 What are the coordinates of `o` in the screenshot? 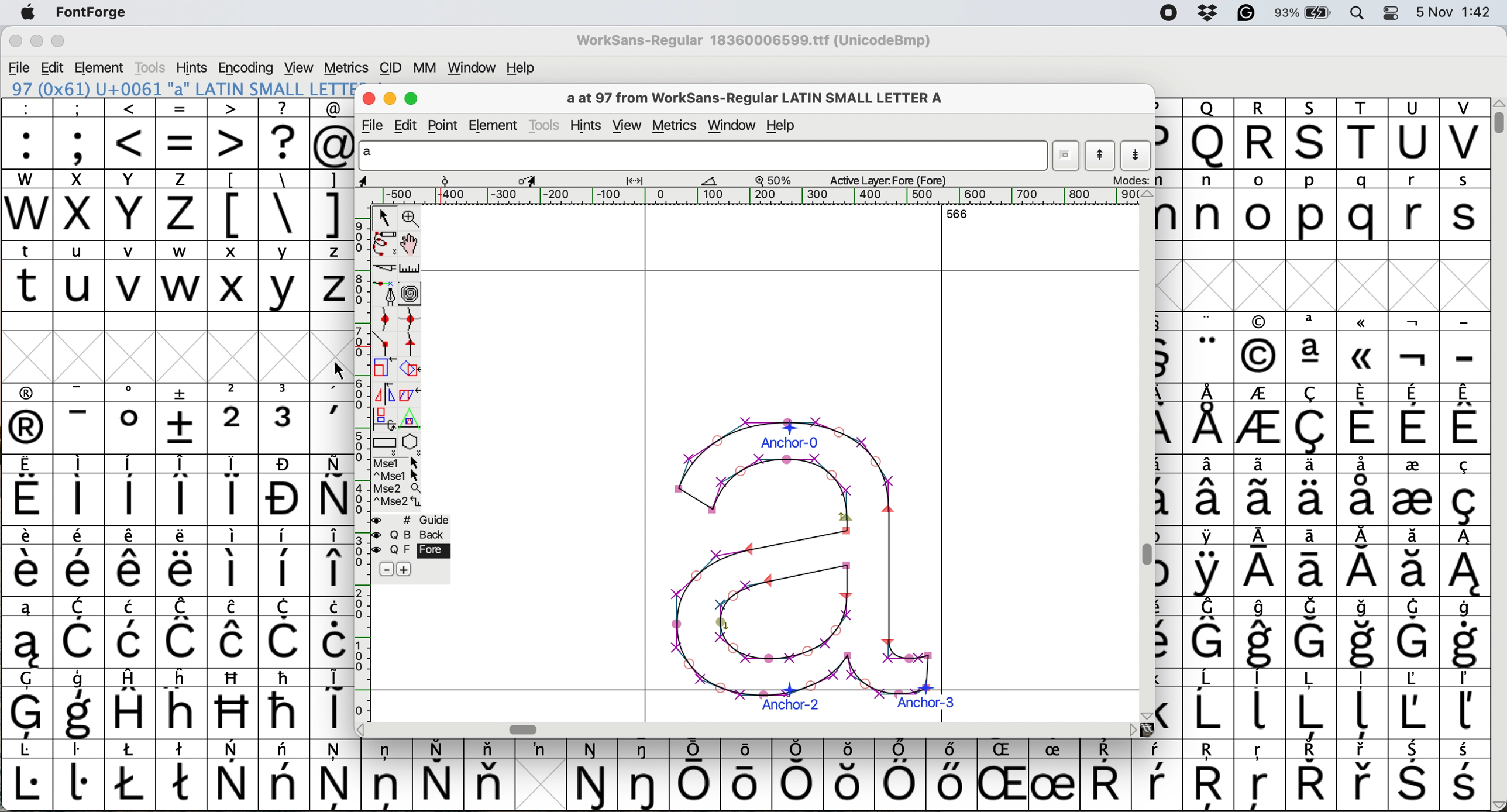 It's located at (1261, 207).